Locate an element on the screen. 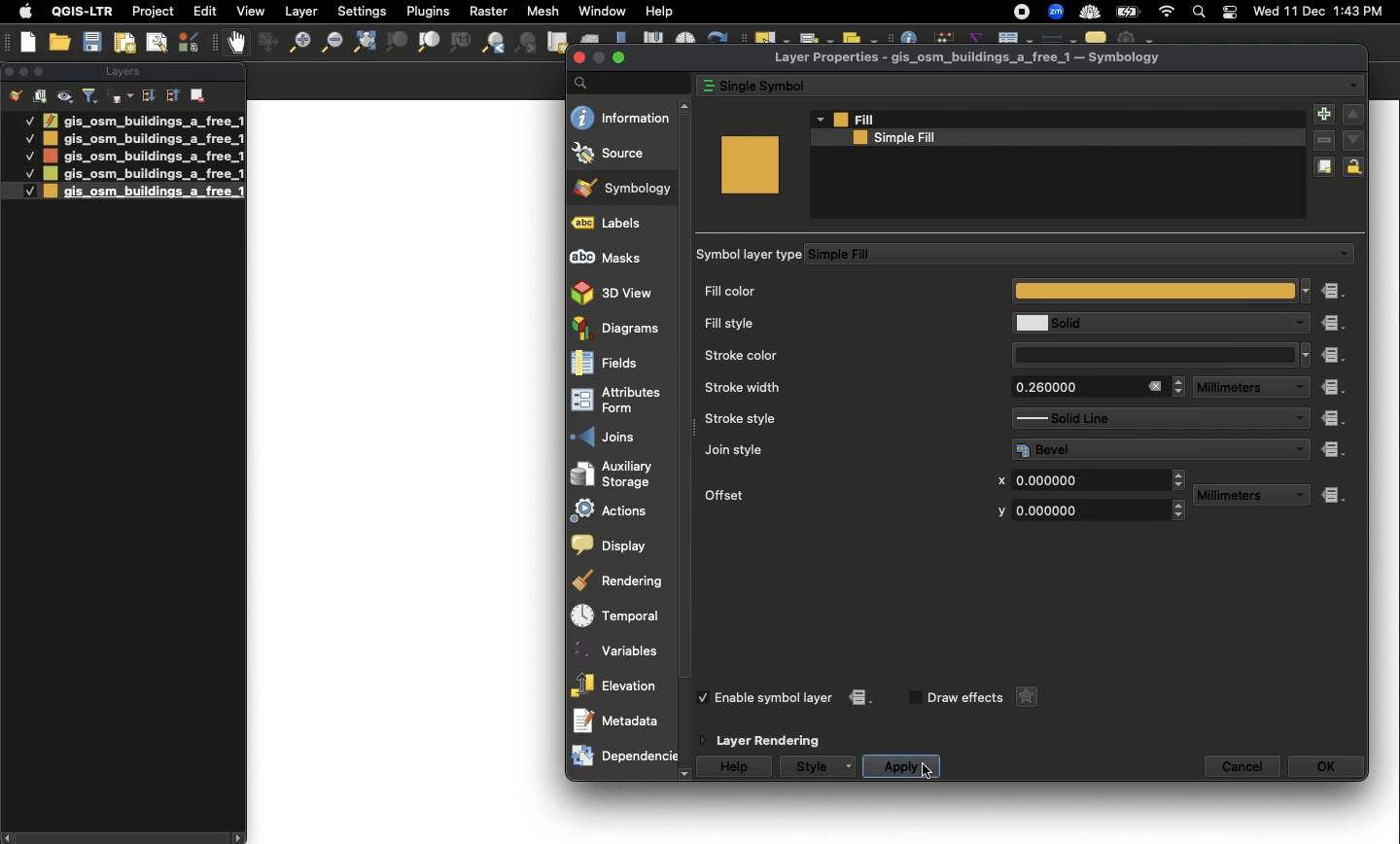  0.260000 is located at coordinates (1070, 387).